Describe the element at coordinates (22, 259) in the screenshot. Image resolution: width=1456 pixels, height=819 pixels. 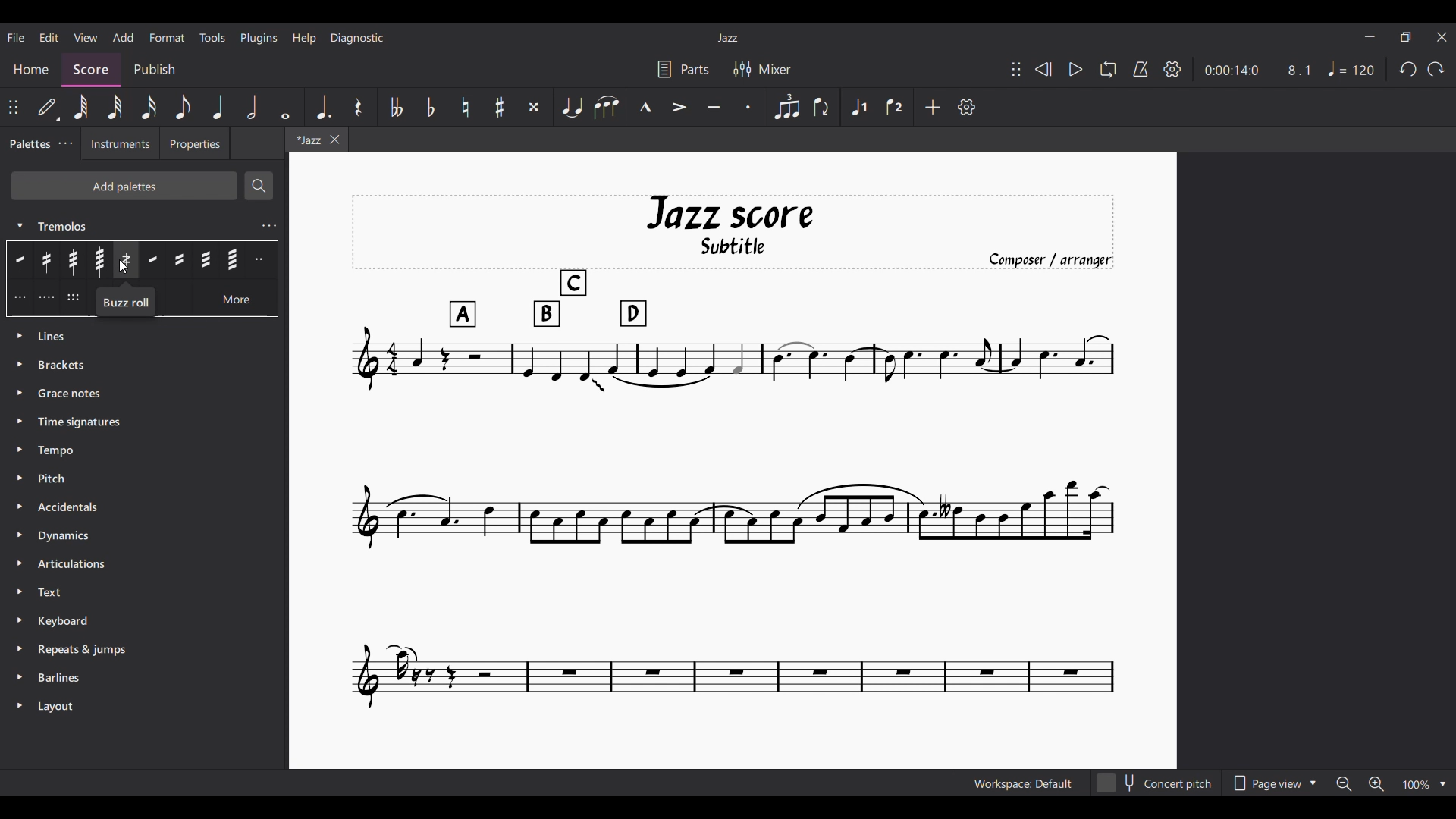
I see `8th through stem` at that location.